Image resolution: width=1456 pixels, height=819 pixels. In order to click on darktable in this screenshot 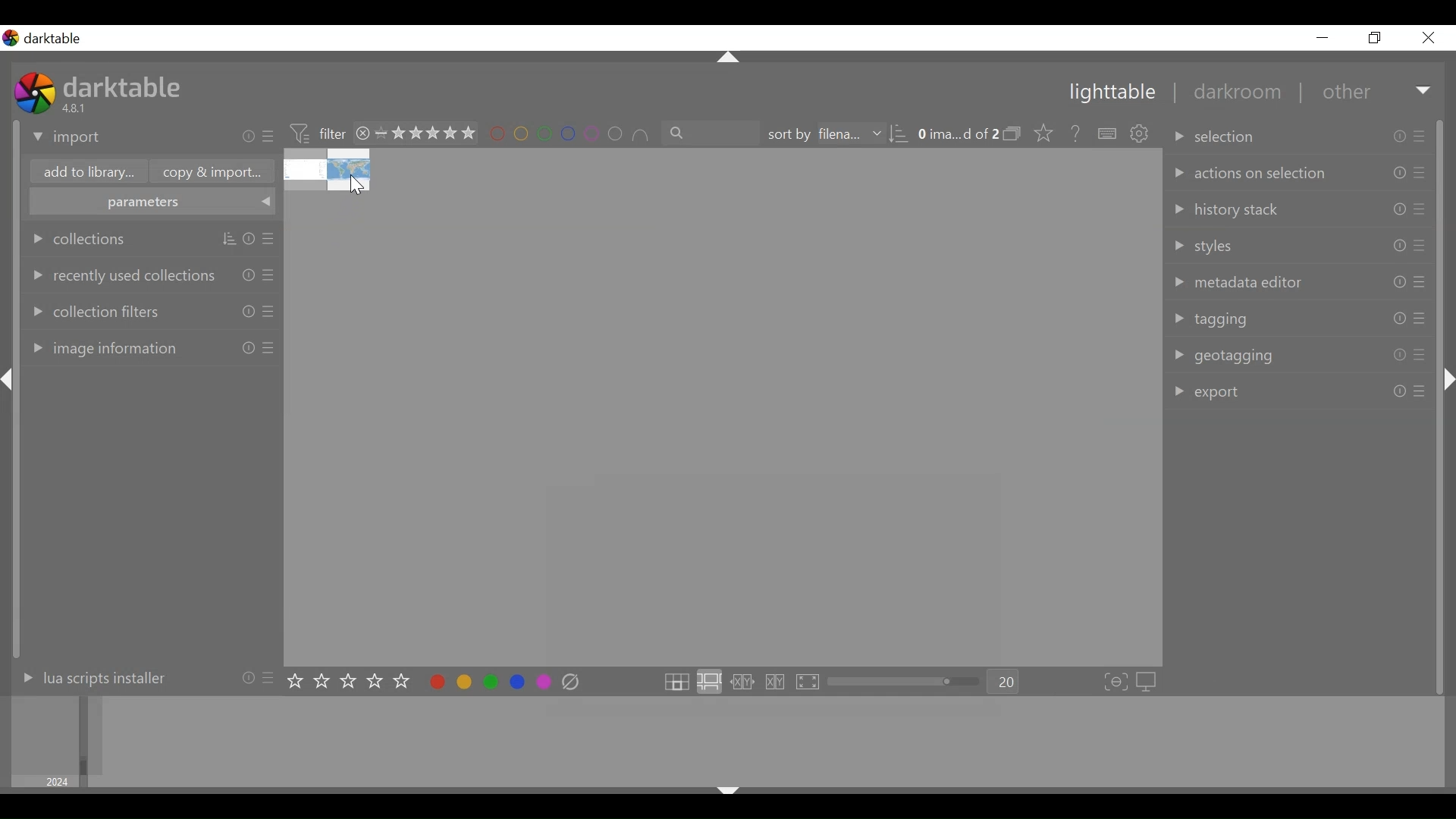, I will do `click(123, 86)`.